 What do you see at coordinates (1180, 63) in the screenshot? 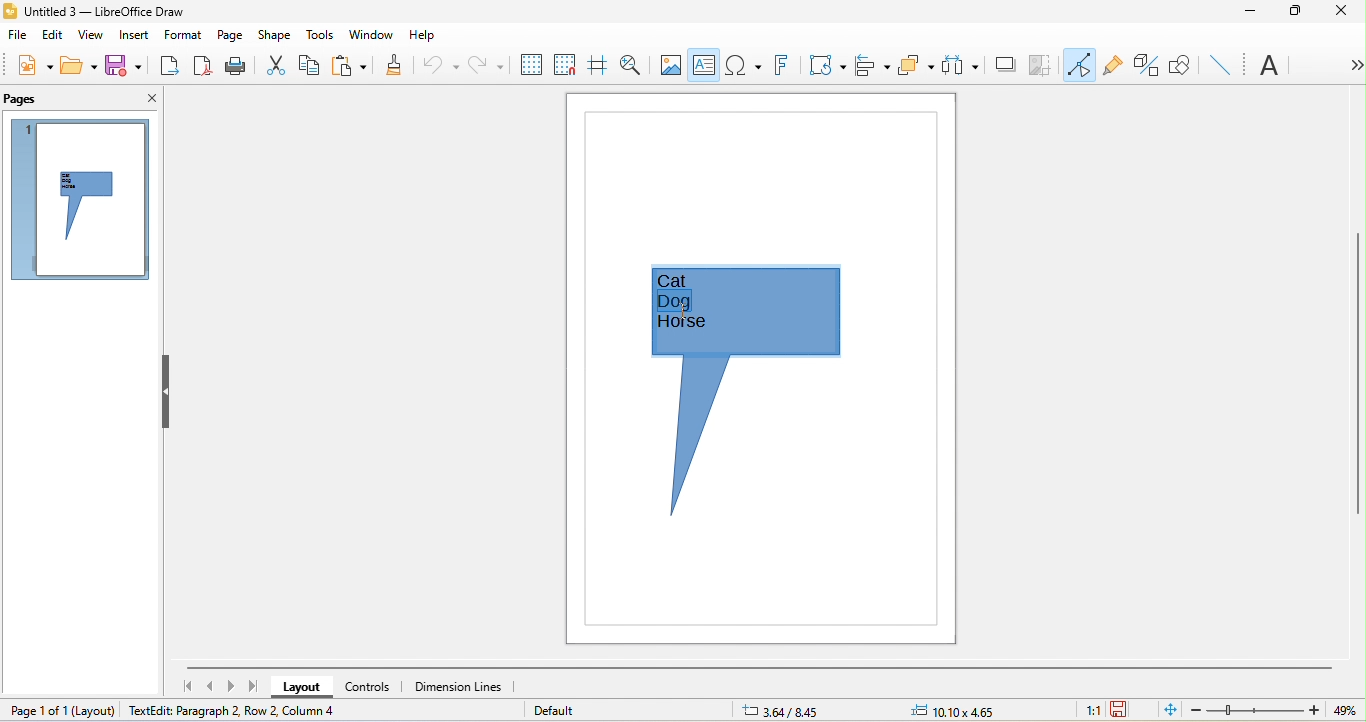
I see `show draw function` at bounding box center [1180, 63].